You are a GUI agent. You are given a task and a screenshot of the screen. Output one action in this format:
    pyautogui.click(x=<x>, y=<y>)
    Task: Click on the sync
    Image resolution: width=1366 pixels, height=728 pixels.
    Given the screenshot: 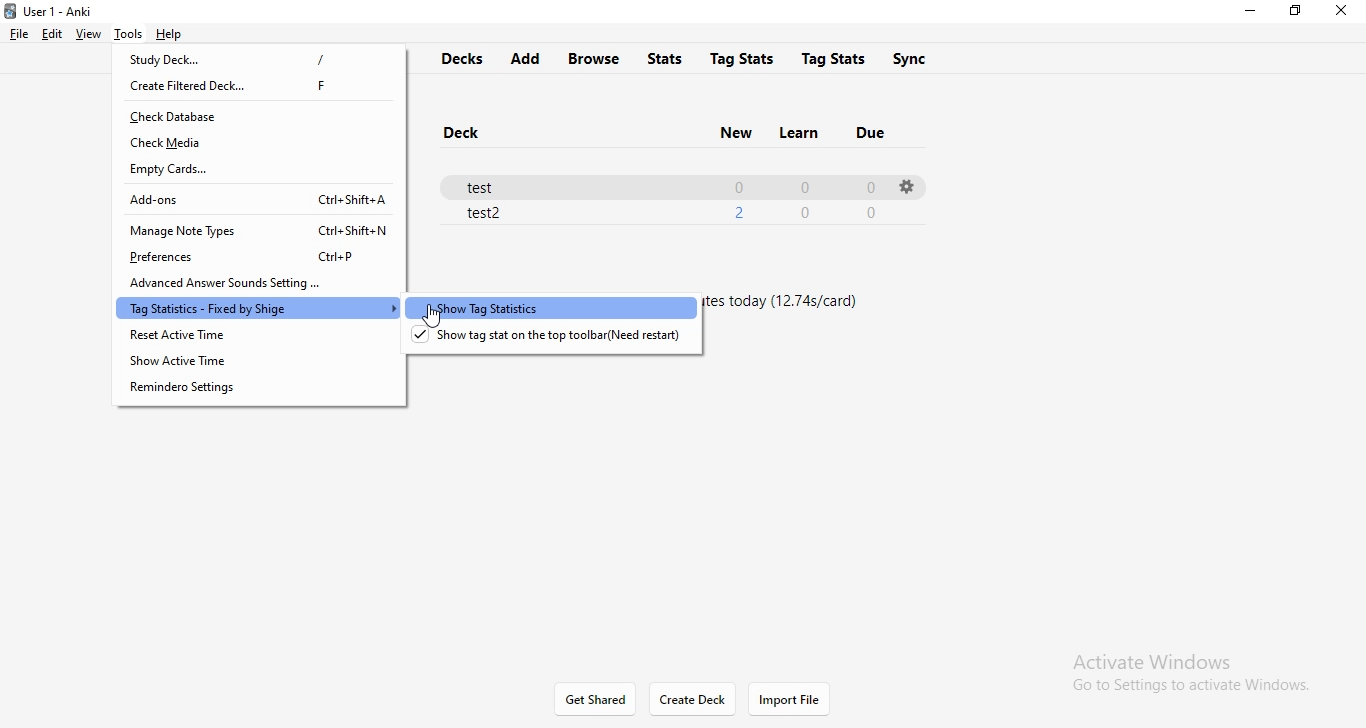 What is the action you would take?
    pyautogui.click(x=913, y=58)
    